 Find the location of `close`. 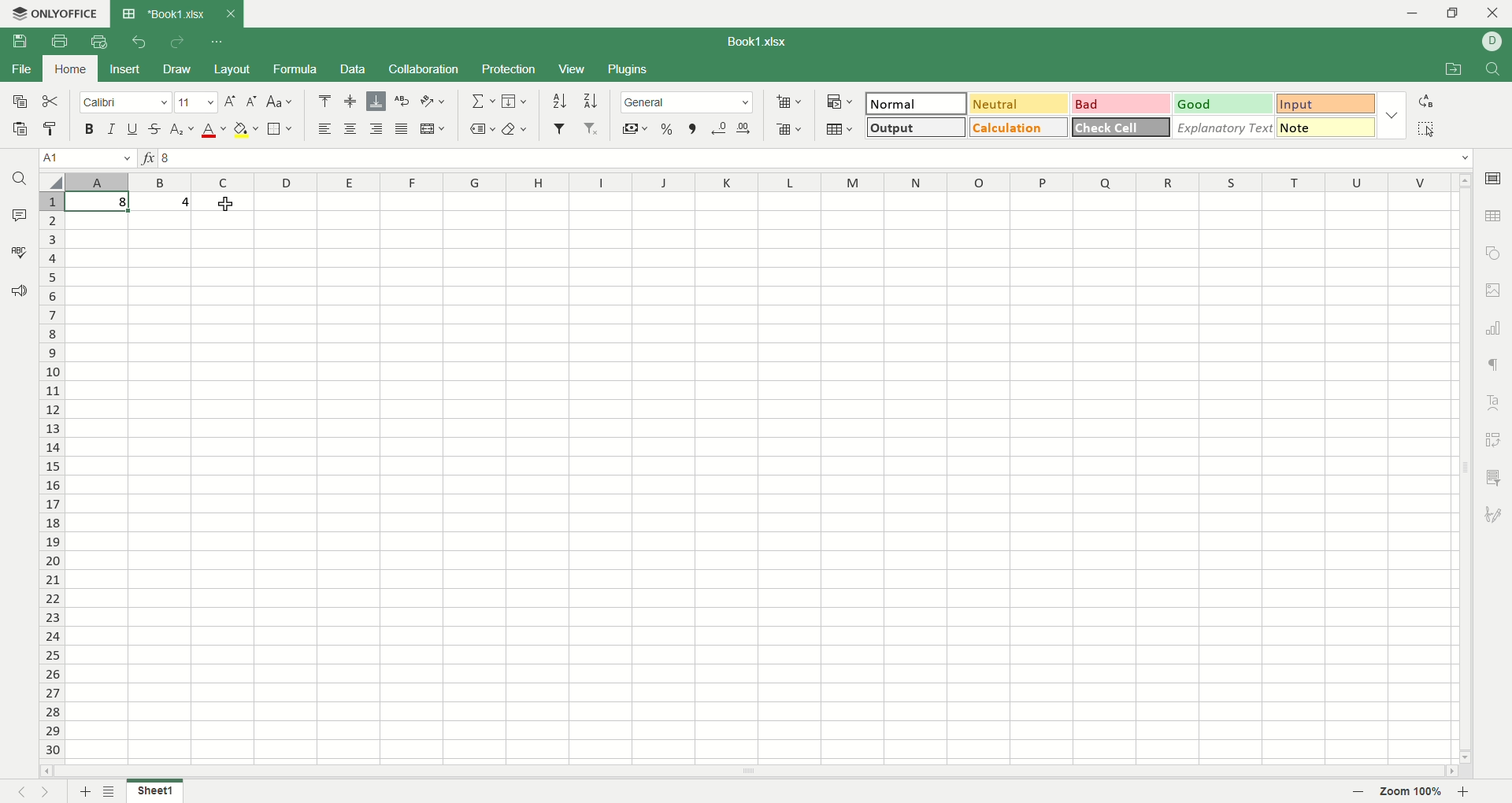

close is located at coordinates (1494, 13).